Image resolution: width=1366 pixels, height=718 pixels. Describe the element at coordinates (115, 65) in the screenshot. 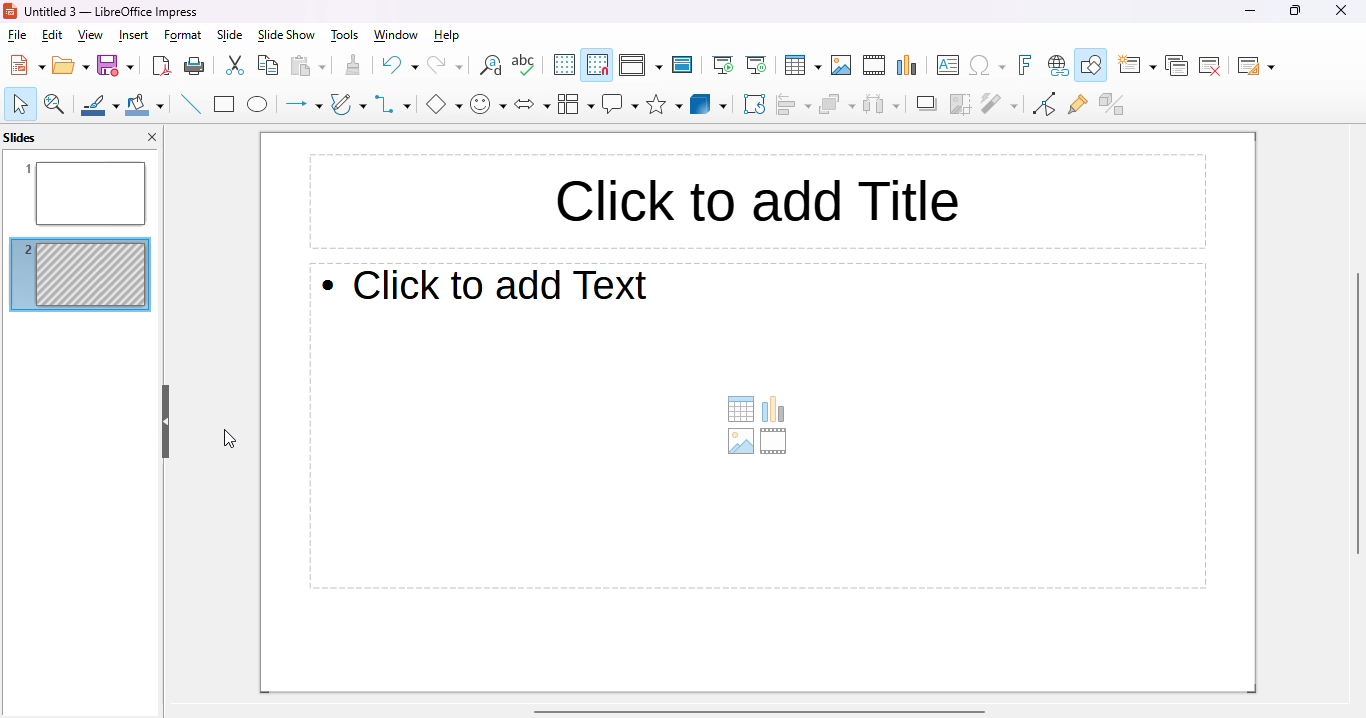

I see `save` at that location.